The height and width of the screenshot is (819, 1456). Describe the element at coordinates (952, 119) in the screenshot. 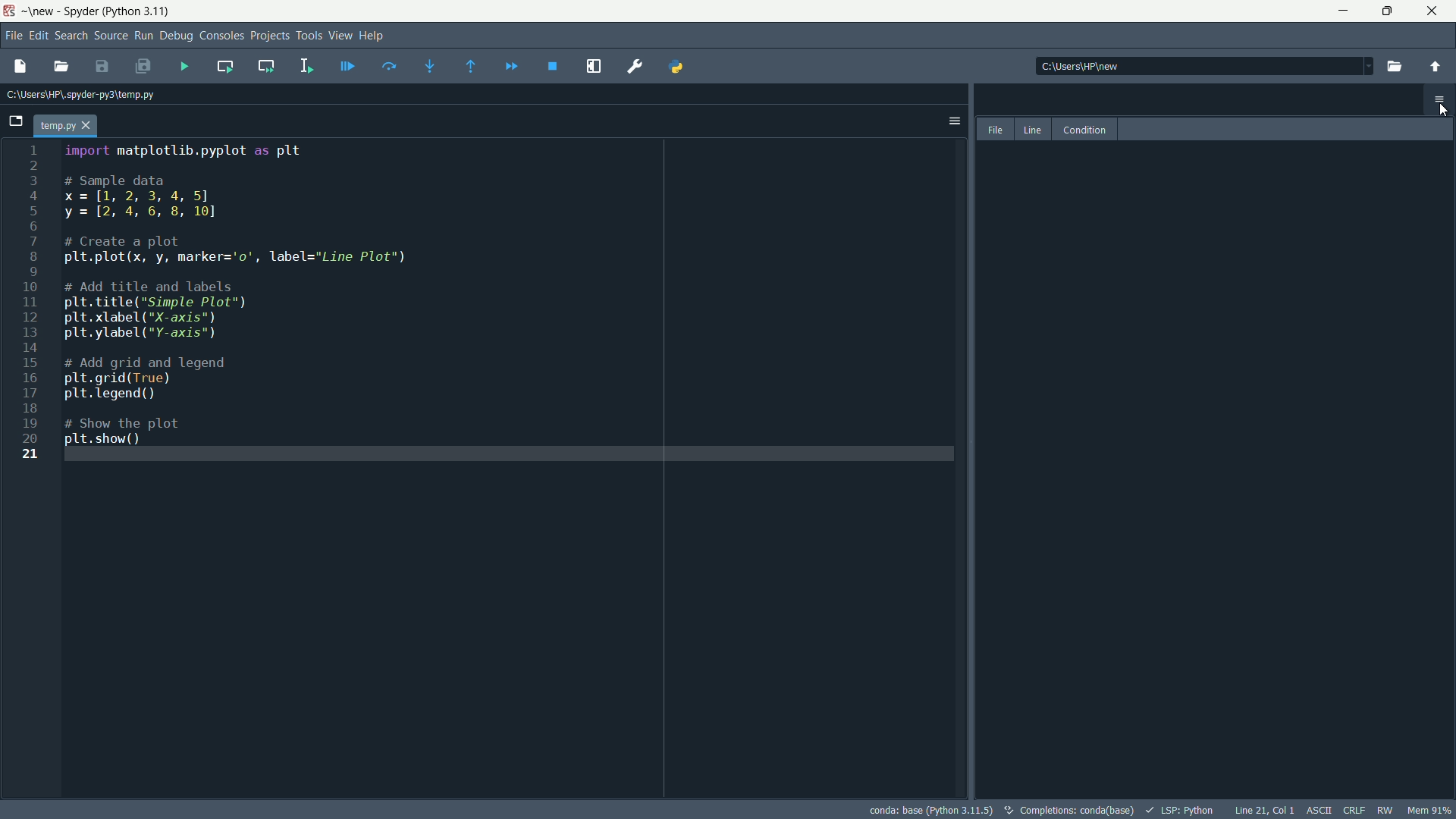

I see `options` at that location.